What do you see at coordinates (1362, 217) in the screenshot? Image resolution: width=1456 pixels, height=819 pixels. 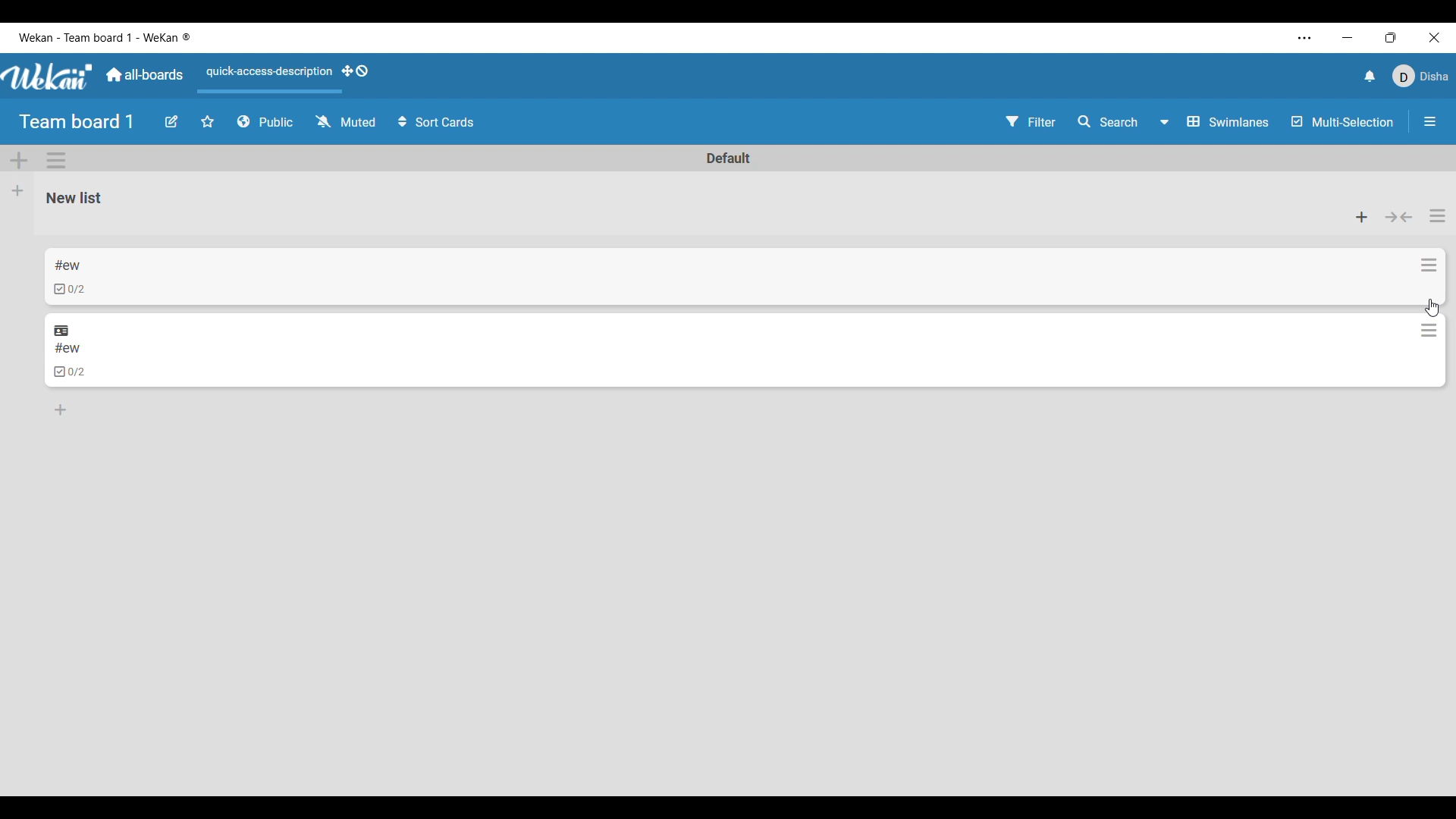 I see `Add card to the top of list` at bounding box center [1362, 217].